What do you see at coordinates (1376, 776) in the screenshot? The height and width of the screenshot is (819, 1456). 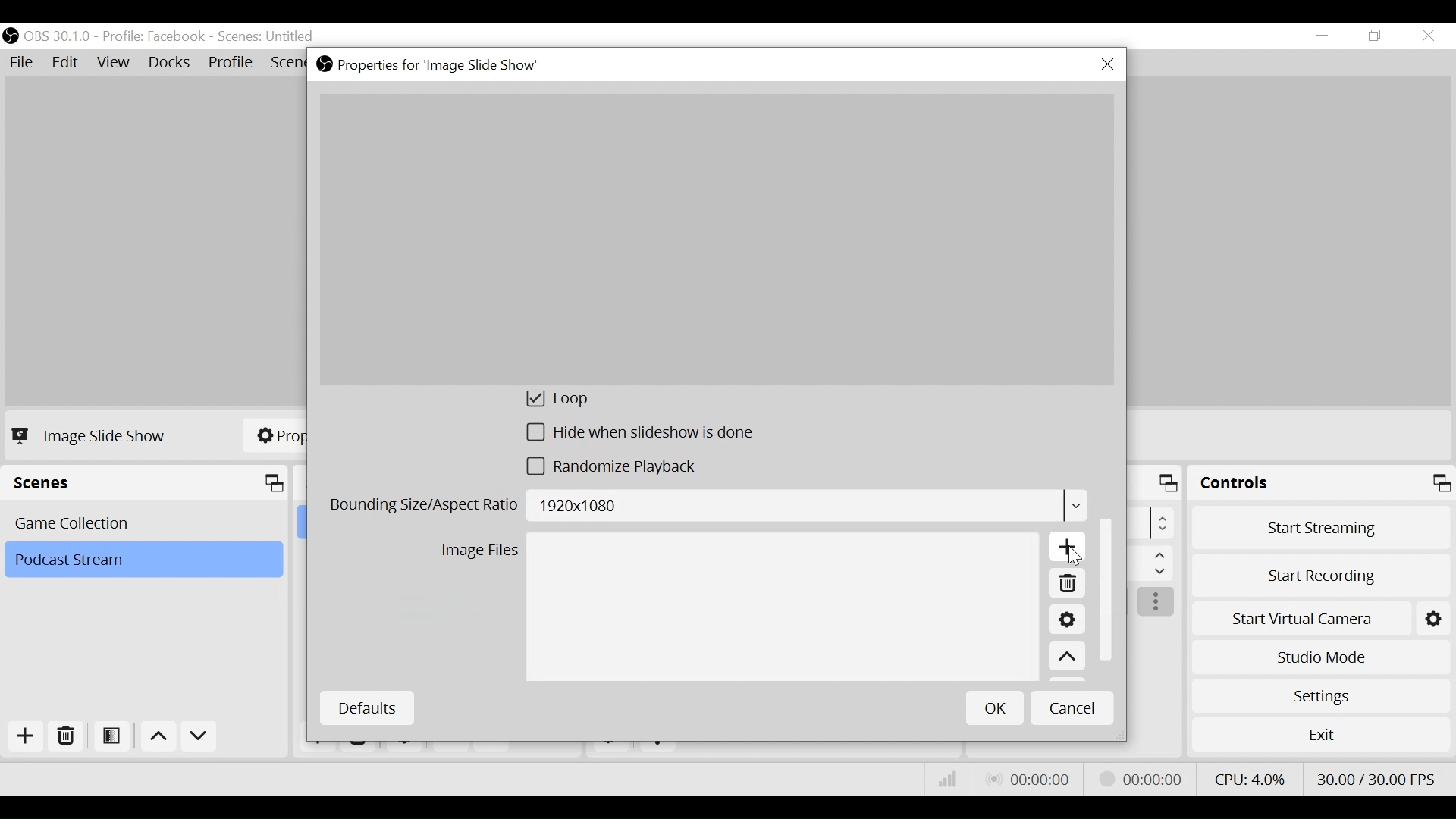 I see `Frame Per Second` at bounding box center [1376, 776].